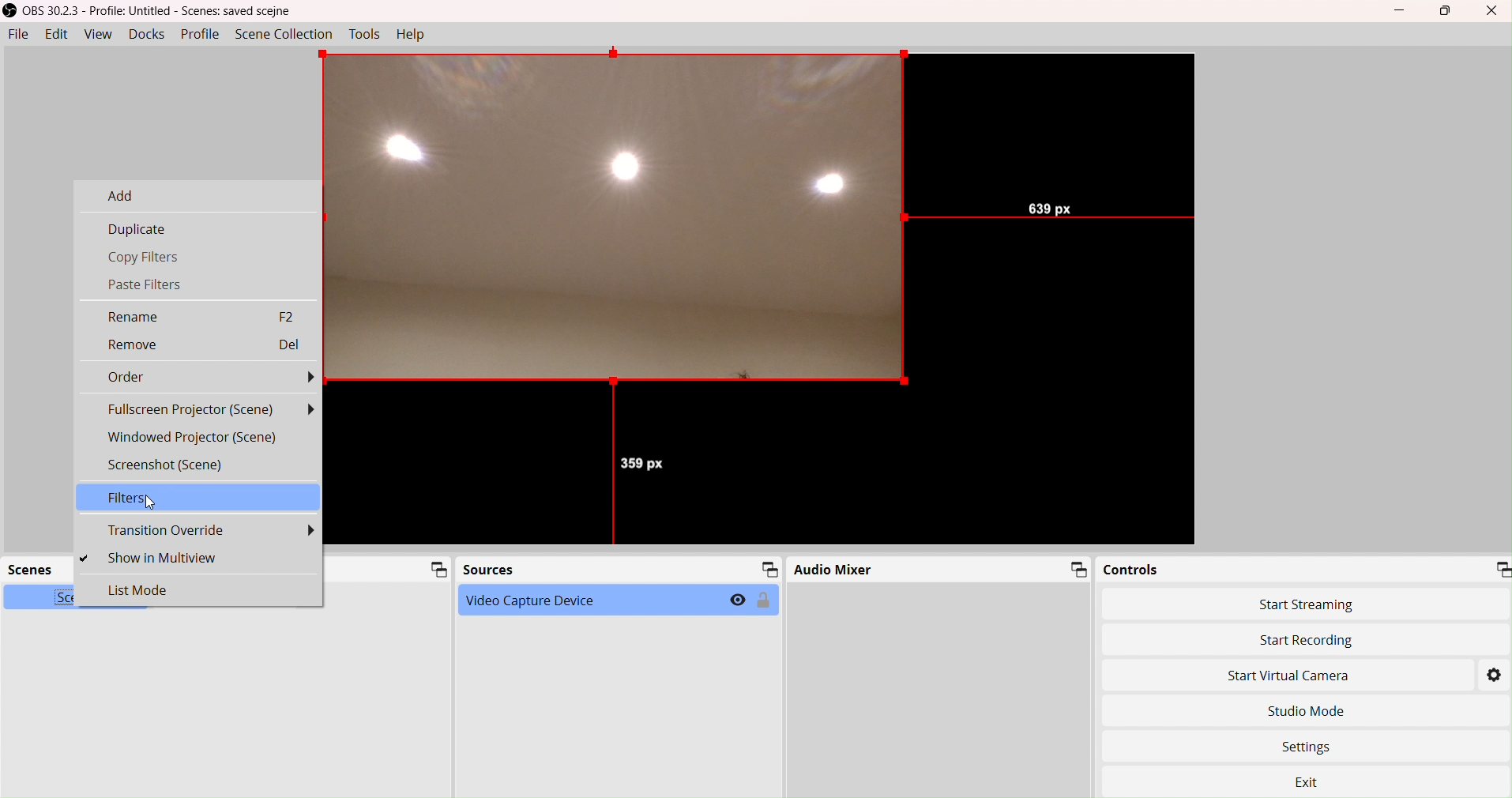  Describe the element at coordinates (611, 216) in the screenshot. I see `output` at that location.